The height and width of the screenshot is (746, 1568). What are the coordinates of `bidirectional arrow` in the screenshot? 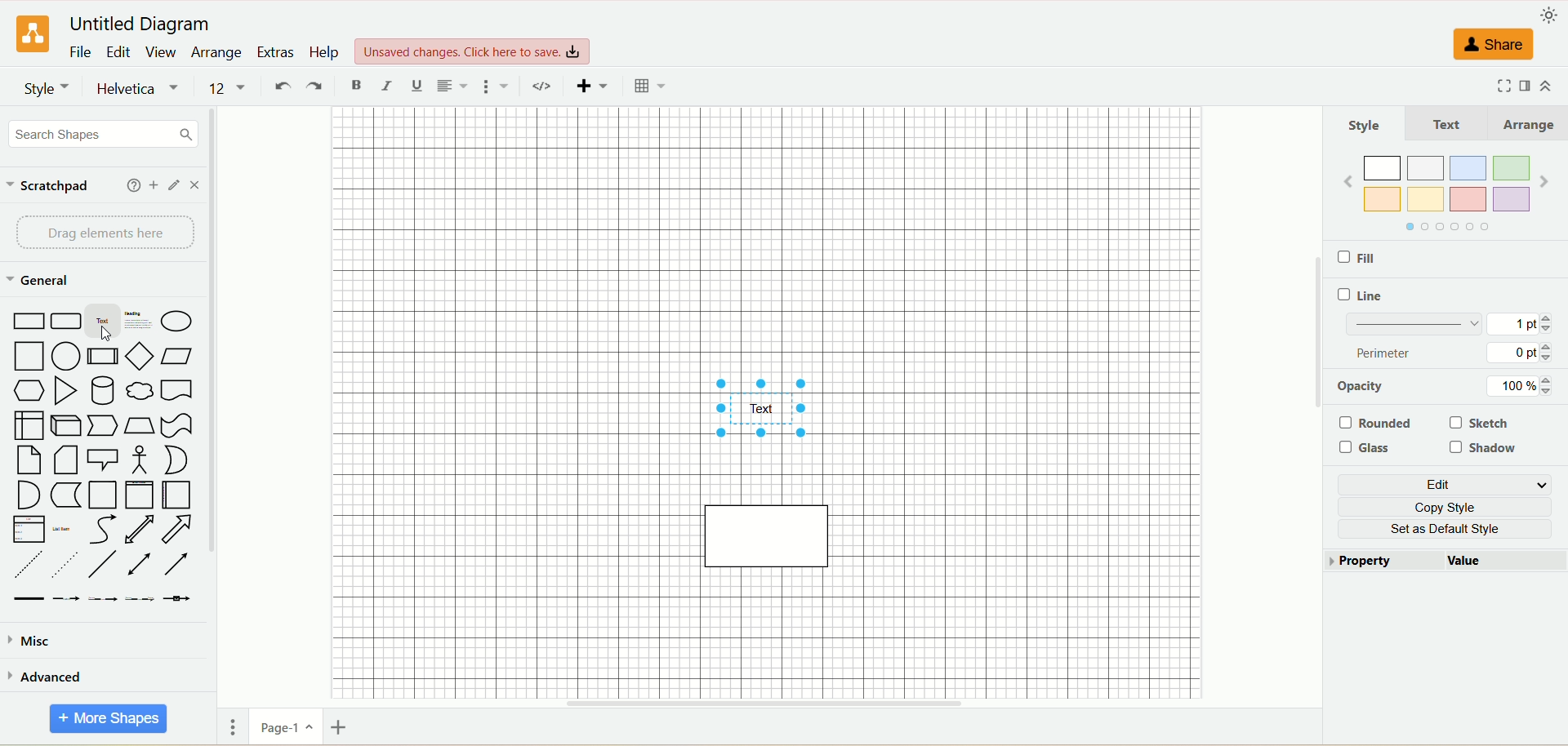 It's located at (142, 529).